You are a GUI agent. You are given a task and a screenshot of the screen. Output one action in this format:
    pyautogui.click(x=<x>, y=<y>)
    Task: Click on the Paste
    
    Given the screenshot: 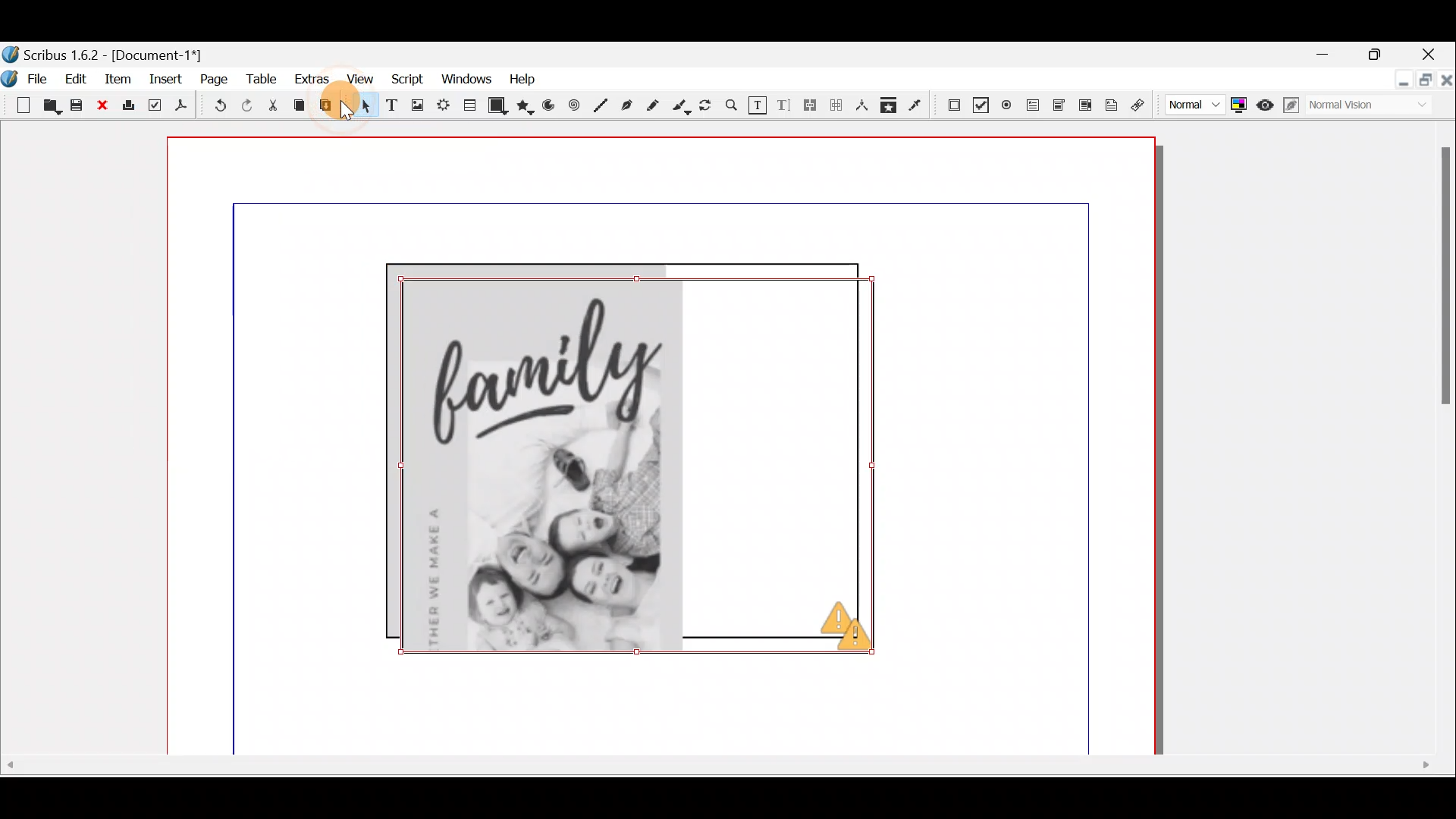 What is the action you would take?
    pyautogui.click(x=331, y=109)
    